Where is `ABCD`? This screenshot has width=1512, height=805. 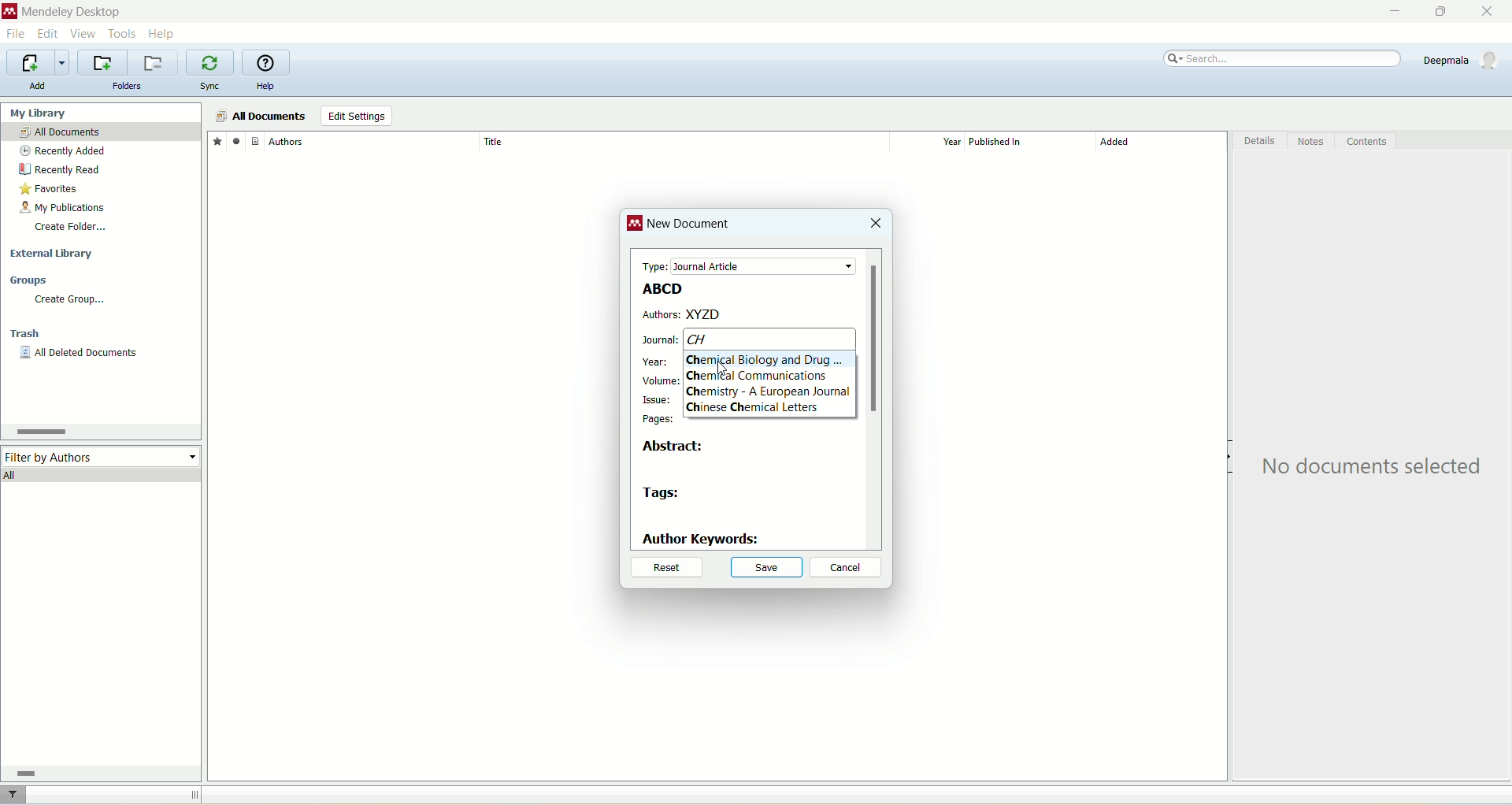
ABCD is located at coordinates (659, 288).